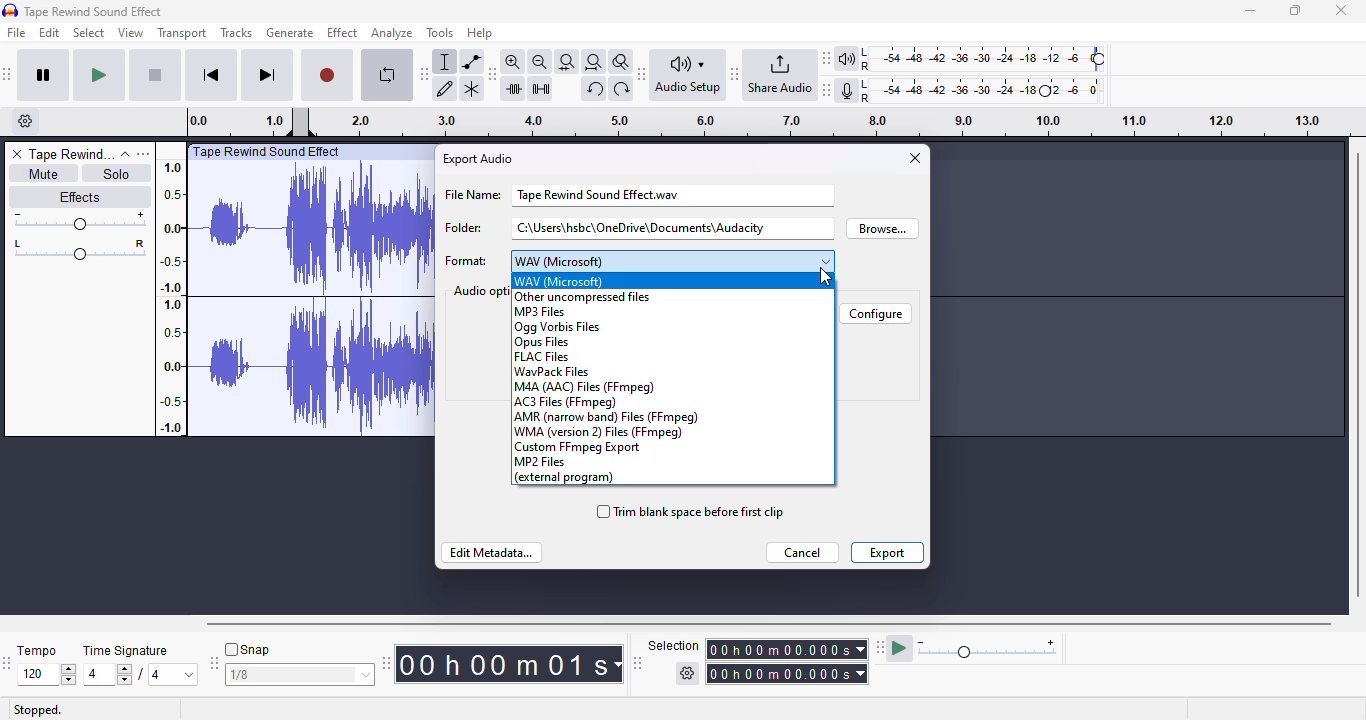 This screenshot has width=1366, height=720. Describe the element at coordinates (425, 74) in the screenshot. I see `audacity tools toolbar` at that location.